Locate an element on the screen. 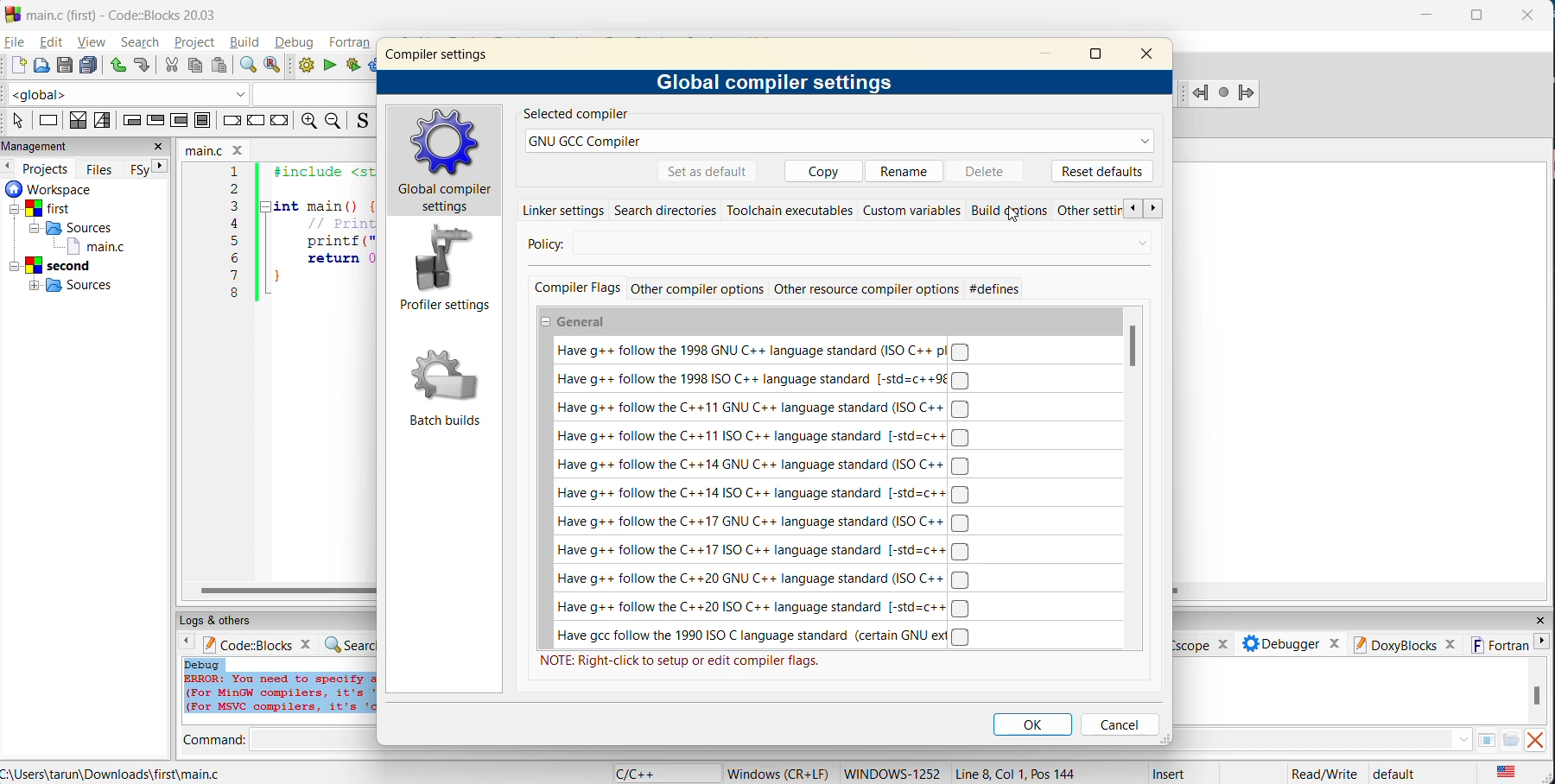 Image resolution: width=1555 pixels, height=784 pixels. set as default is located at coordinates (708, 172).